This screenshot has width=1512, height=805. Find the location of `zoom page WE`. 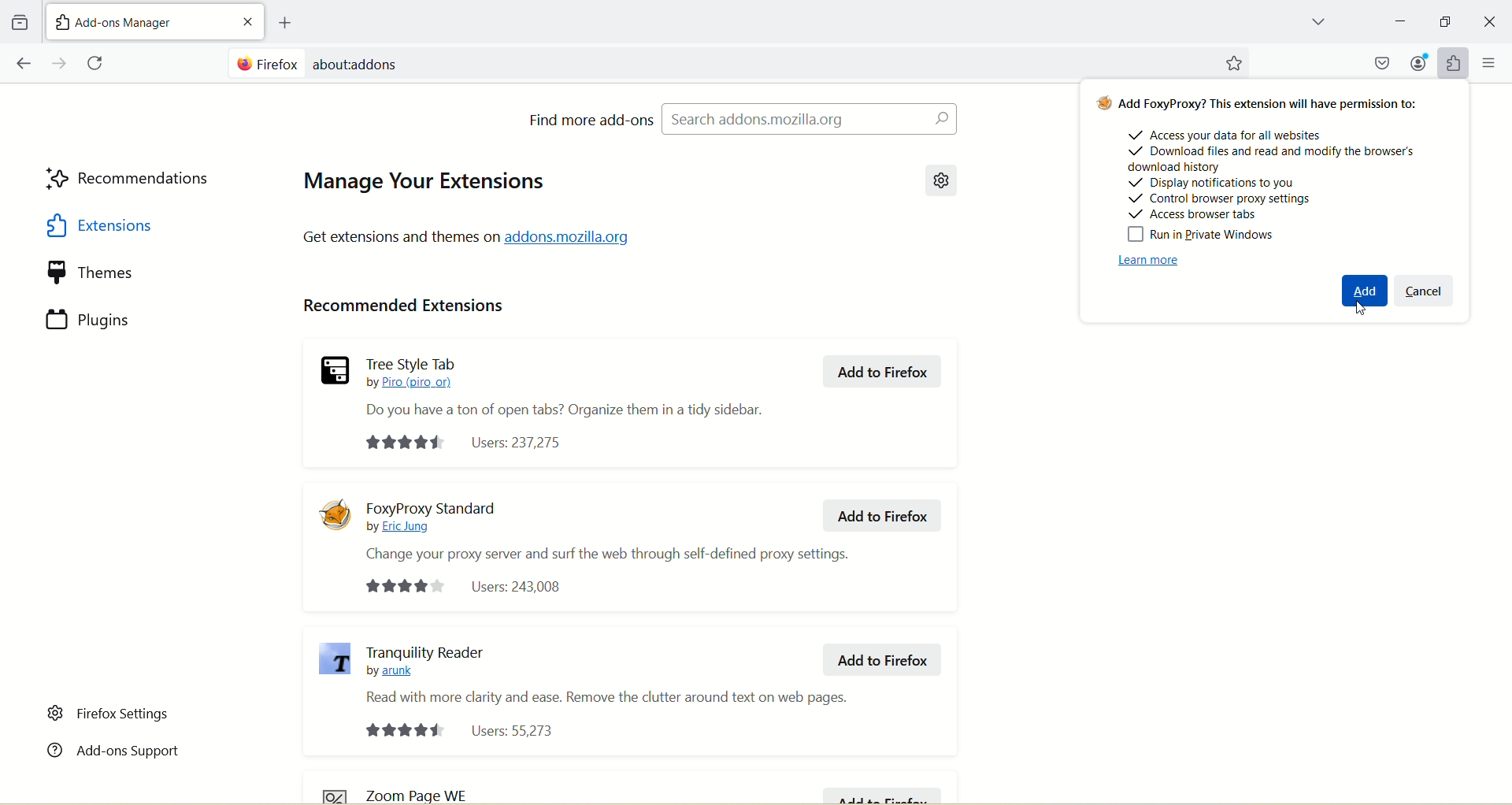

zoom page WE is located at coordinates (408, 792).